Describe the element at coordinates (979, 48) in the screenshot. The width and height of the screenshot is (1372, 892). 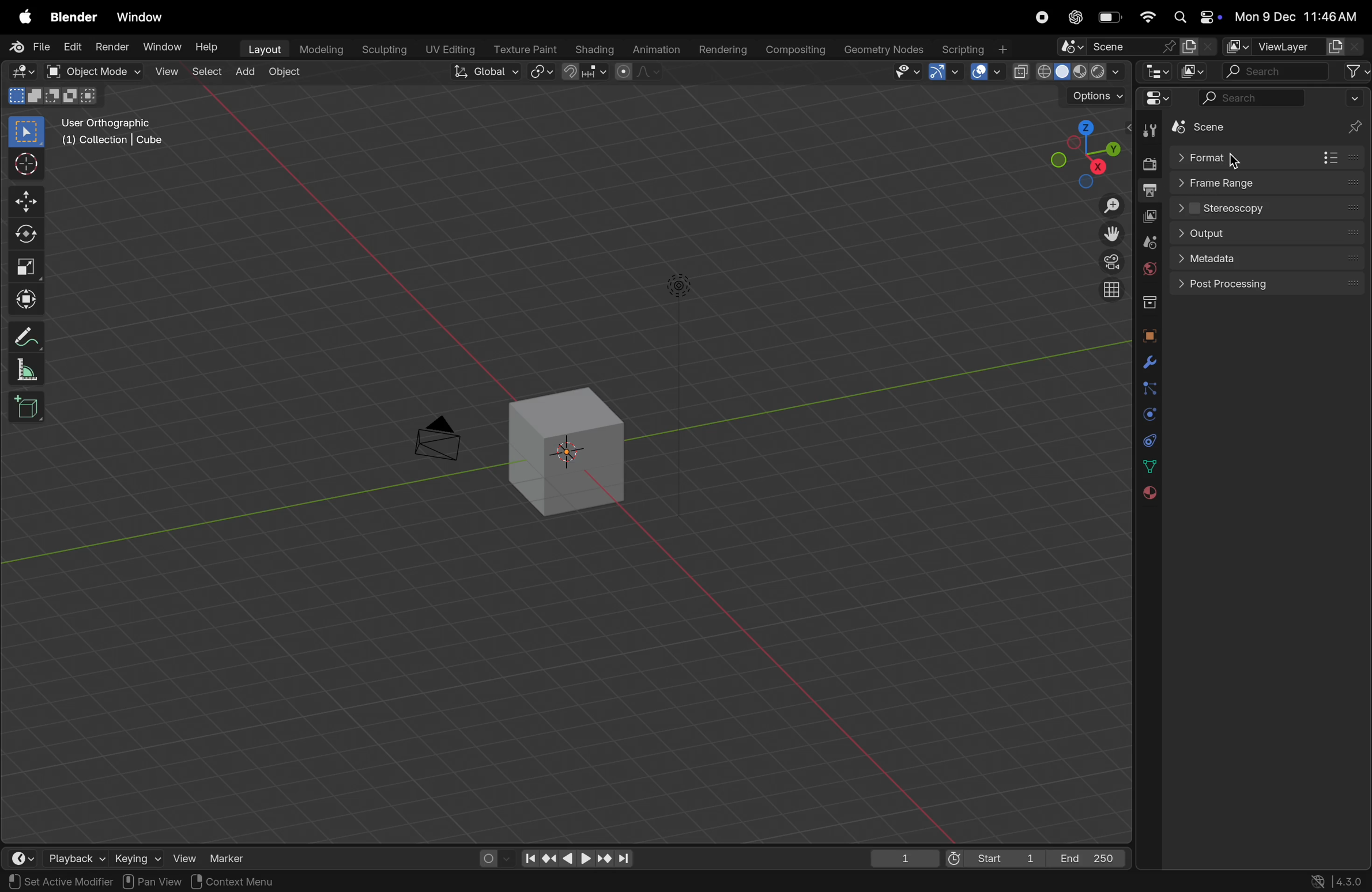
I see `scripting` at that location.